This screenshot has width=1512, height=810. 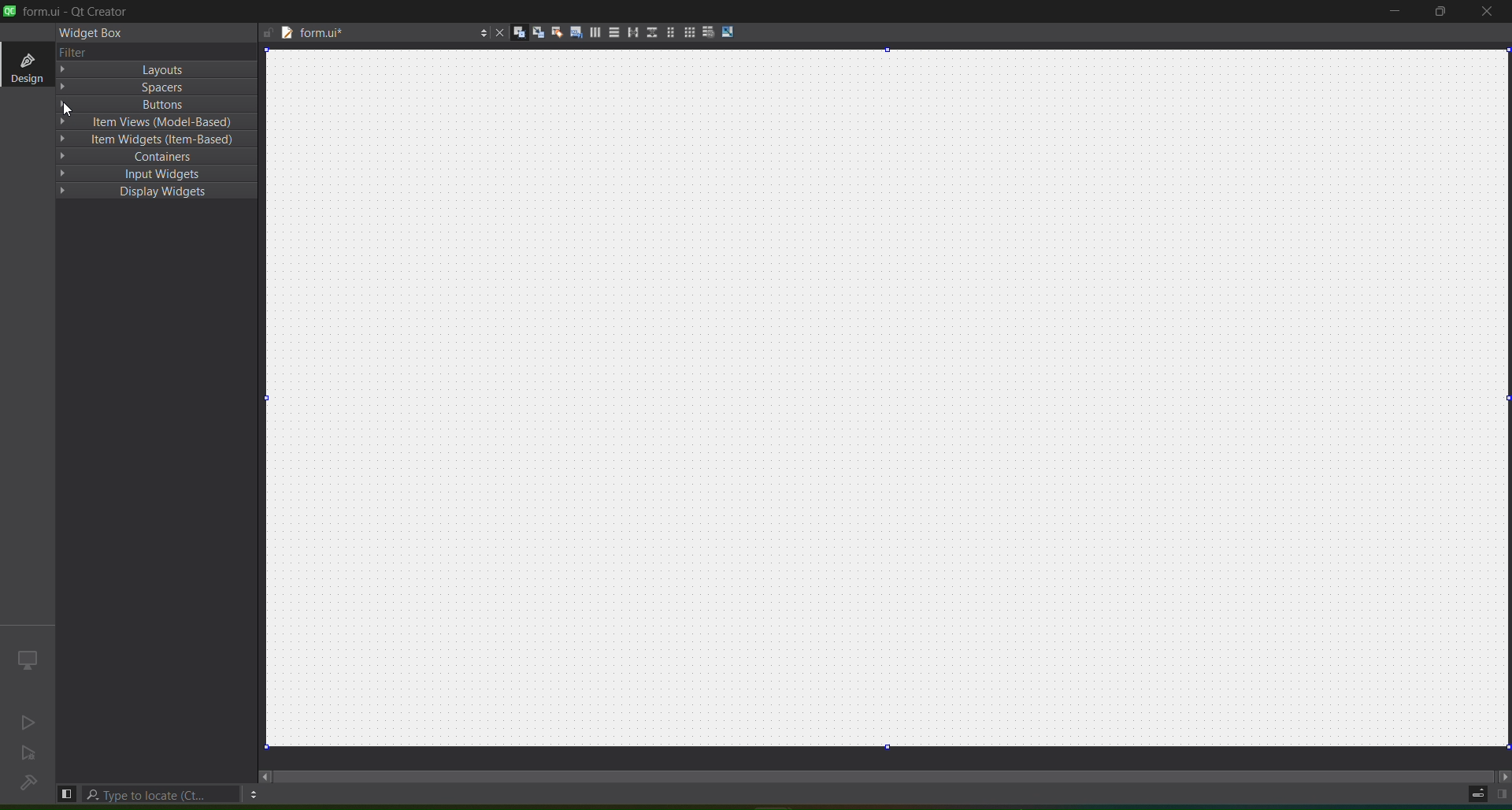 I want to click on icon, so click(x=28, y=659).